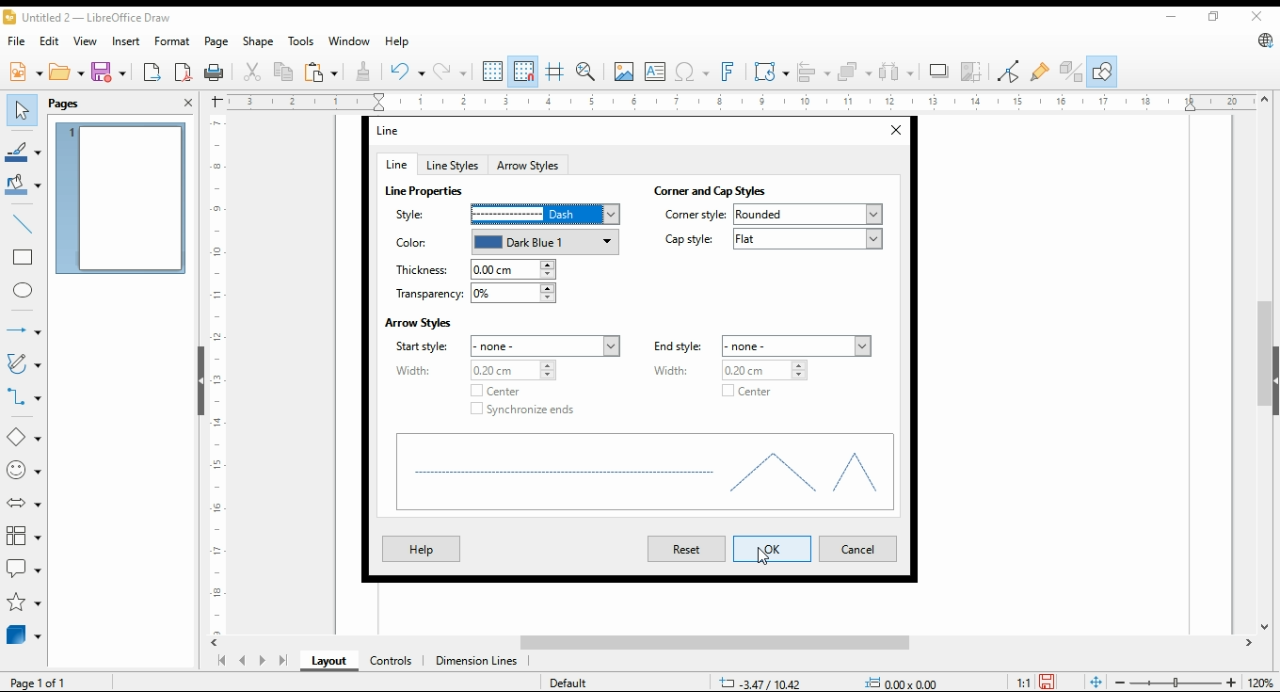  I want to click on checkbox: center, so click(743, 393).